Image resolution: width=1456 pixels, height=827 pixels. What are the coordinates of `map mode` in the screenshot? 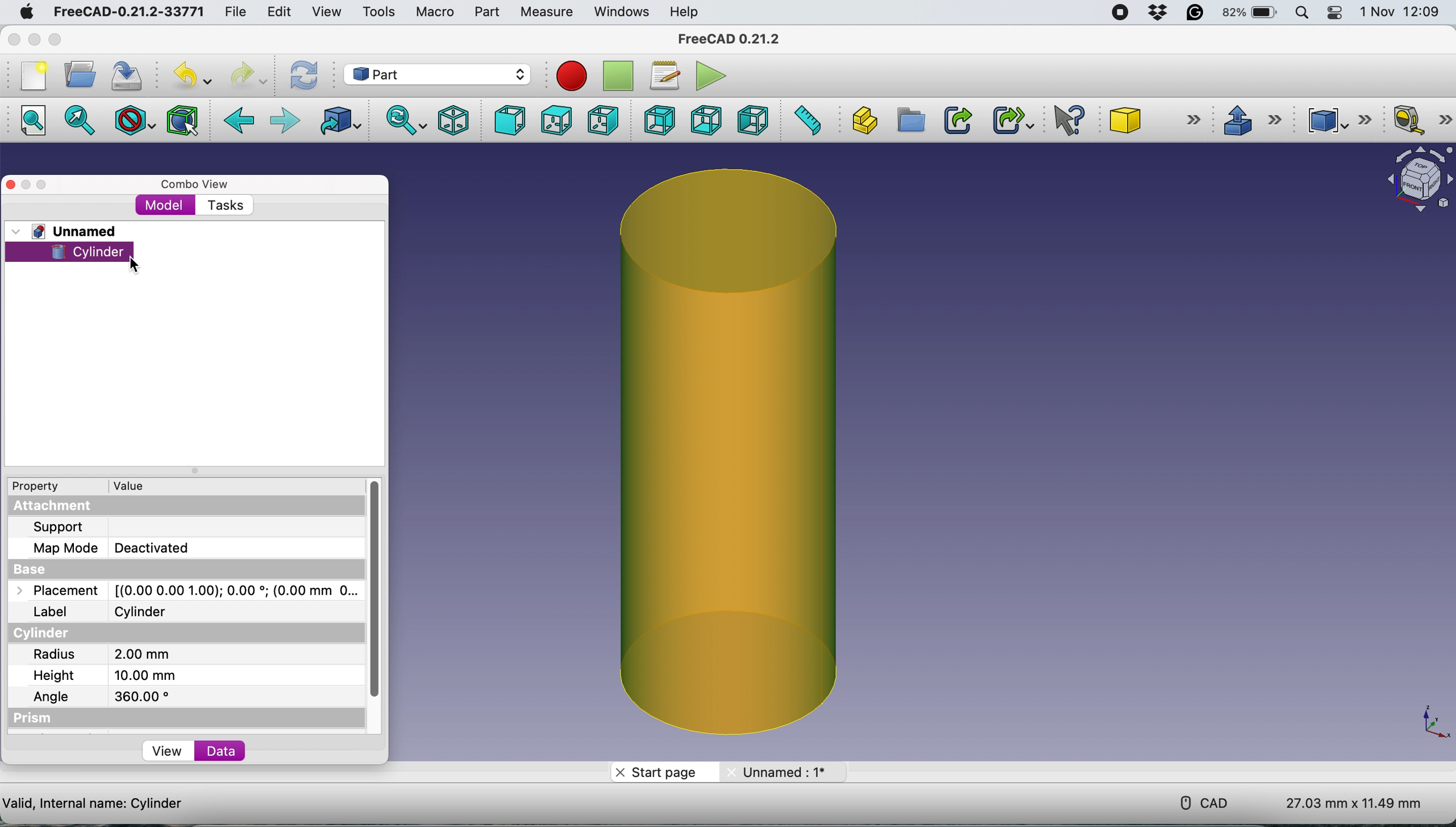 It's located at (110, 548).